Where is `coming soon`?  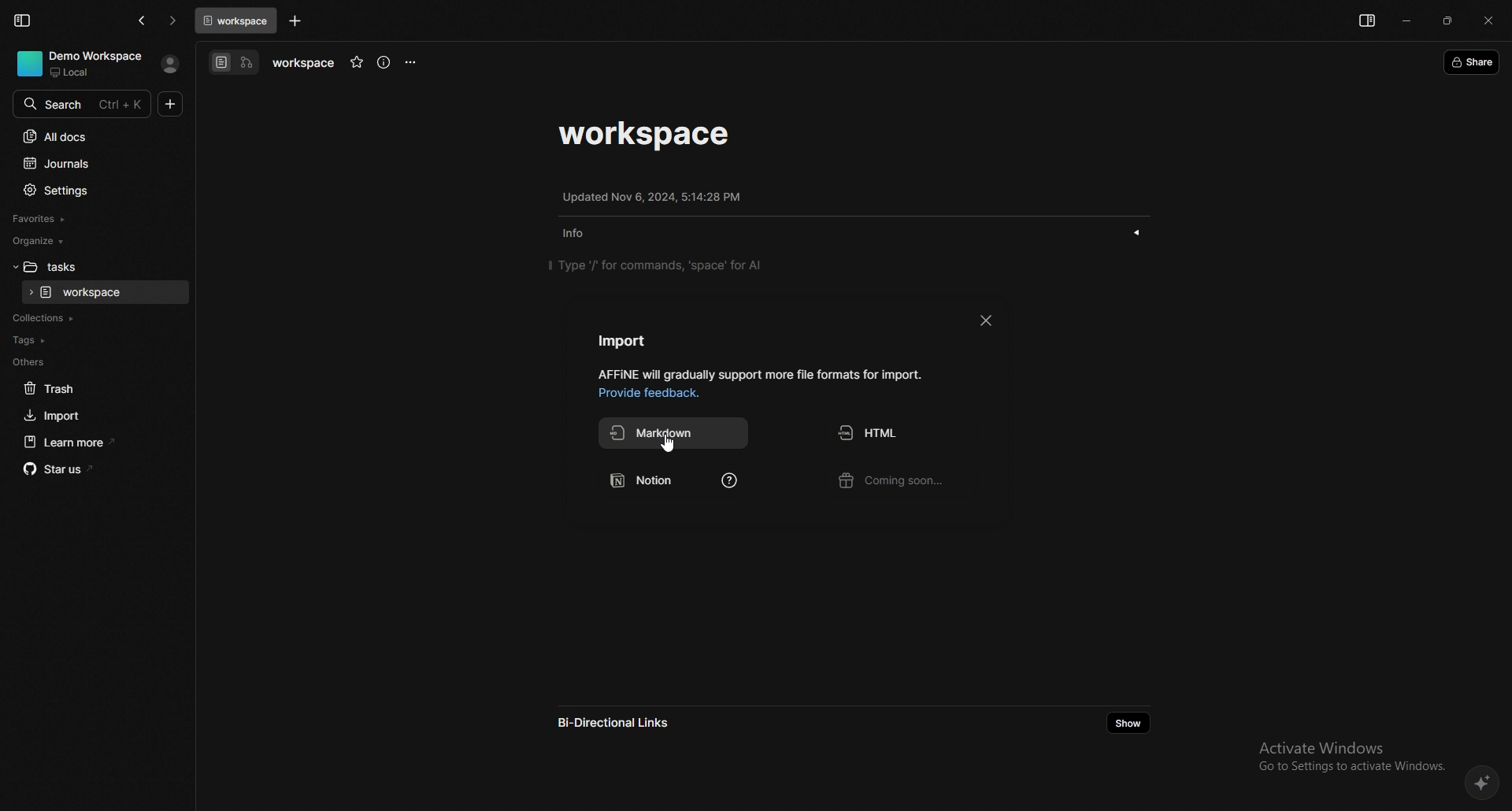 coming soon is located at coordinates (903, 483).